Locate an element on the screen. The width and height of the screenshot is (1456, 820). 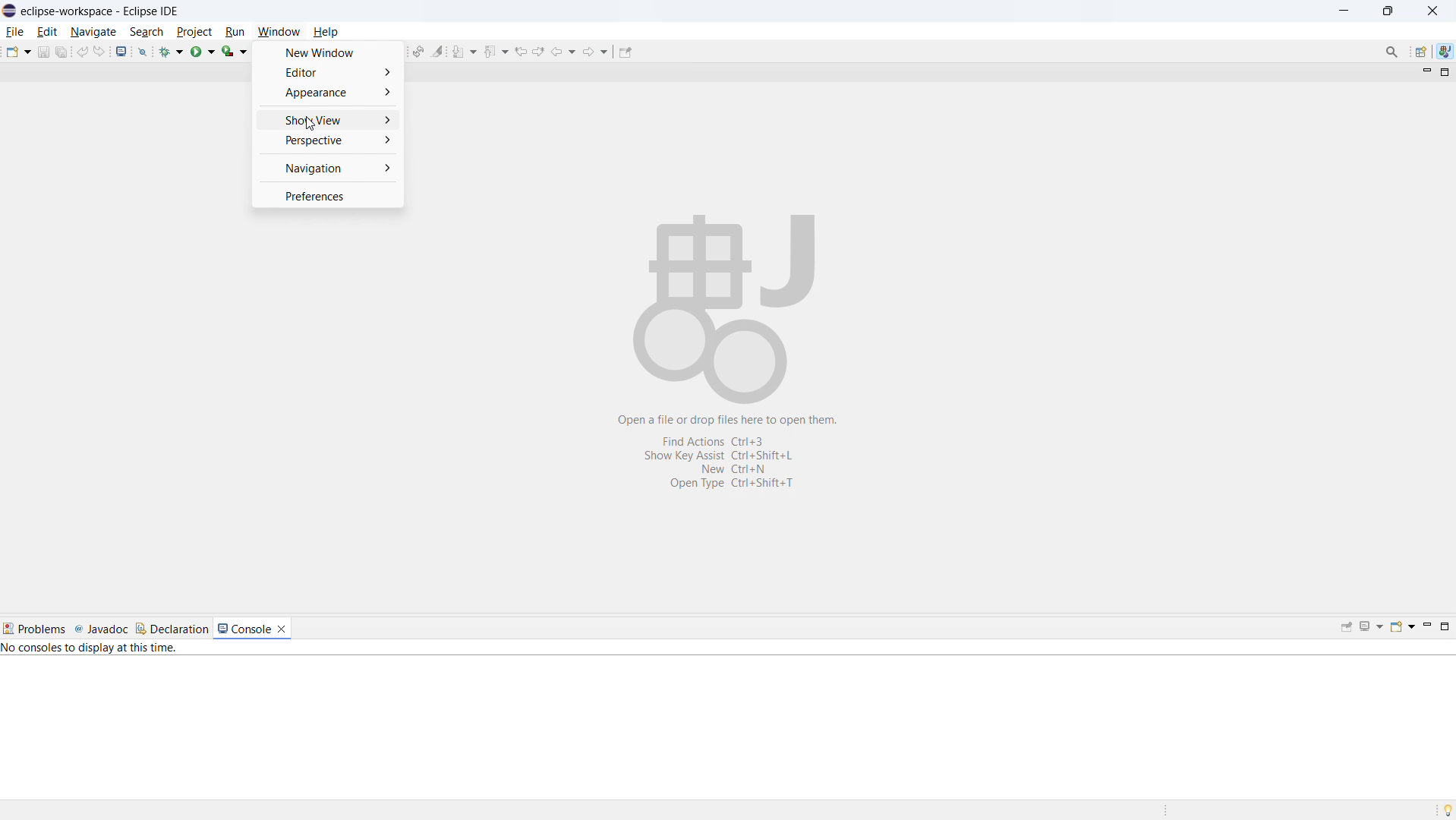
Workspace is located at coordinates (726, 306).